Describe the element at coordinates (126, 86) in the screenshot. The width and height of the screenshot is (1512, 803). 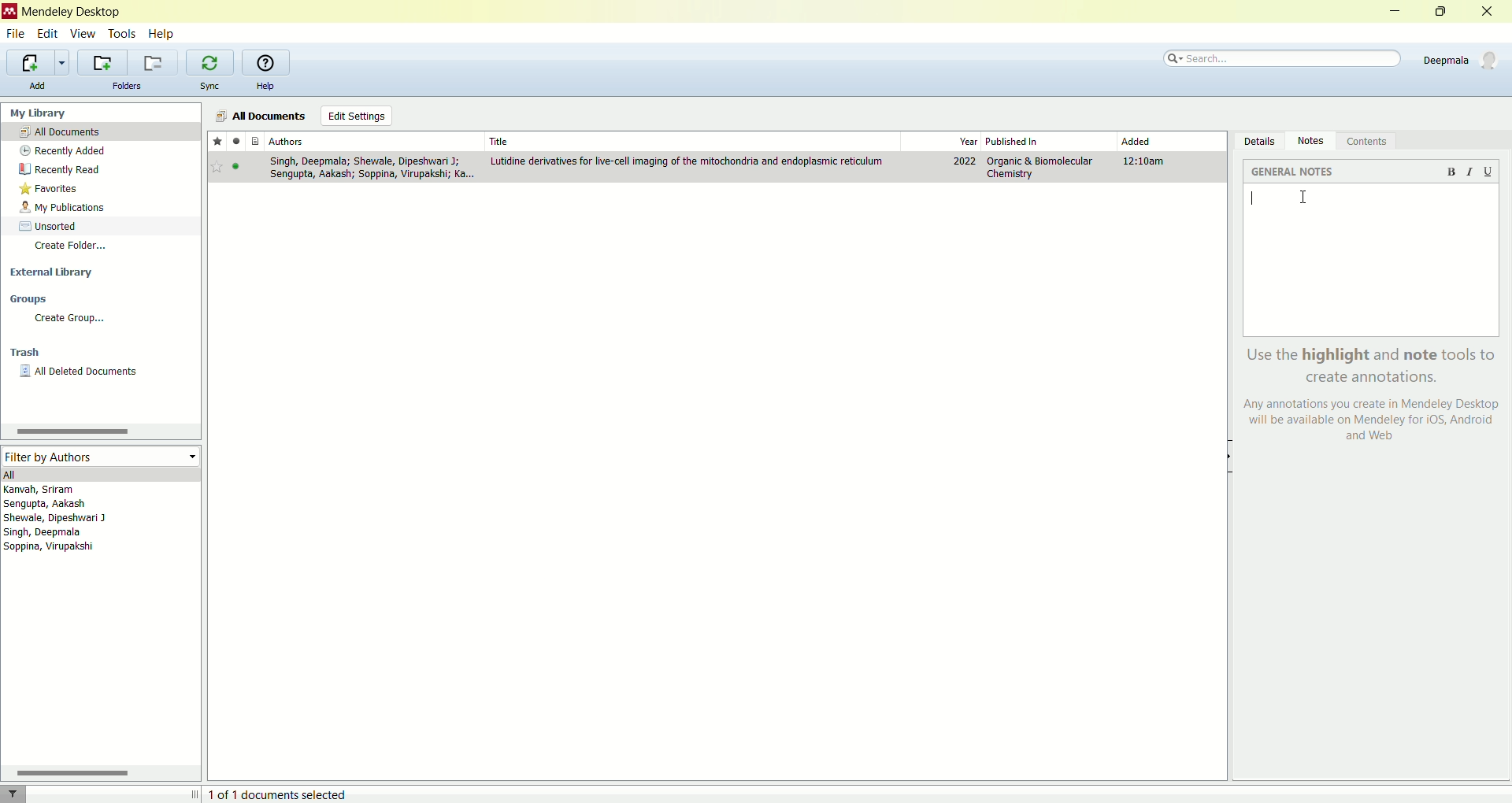
I see `folders` at that location.